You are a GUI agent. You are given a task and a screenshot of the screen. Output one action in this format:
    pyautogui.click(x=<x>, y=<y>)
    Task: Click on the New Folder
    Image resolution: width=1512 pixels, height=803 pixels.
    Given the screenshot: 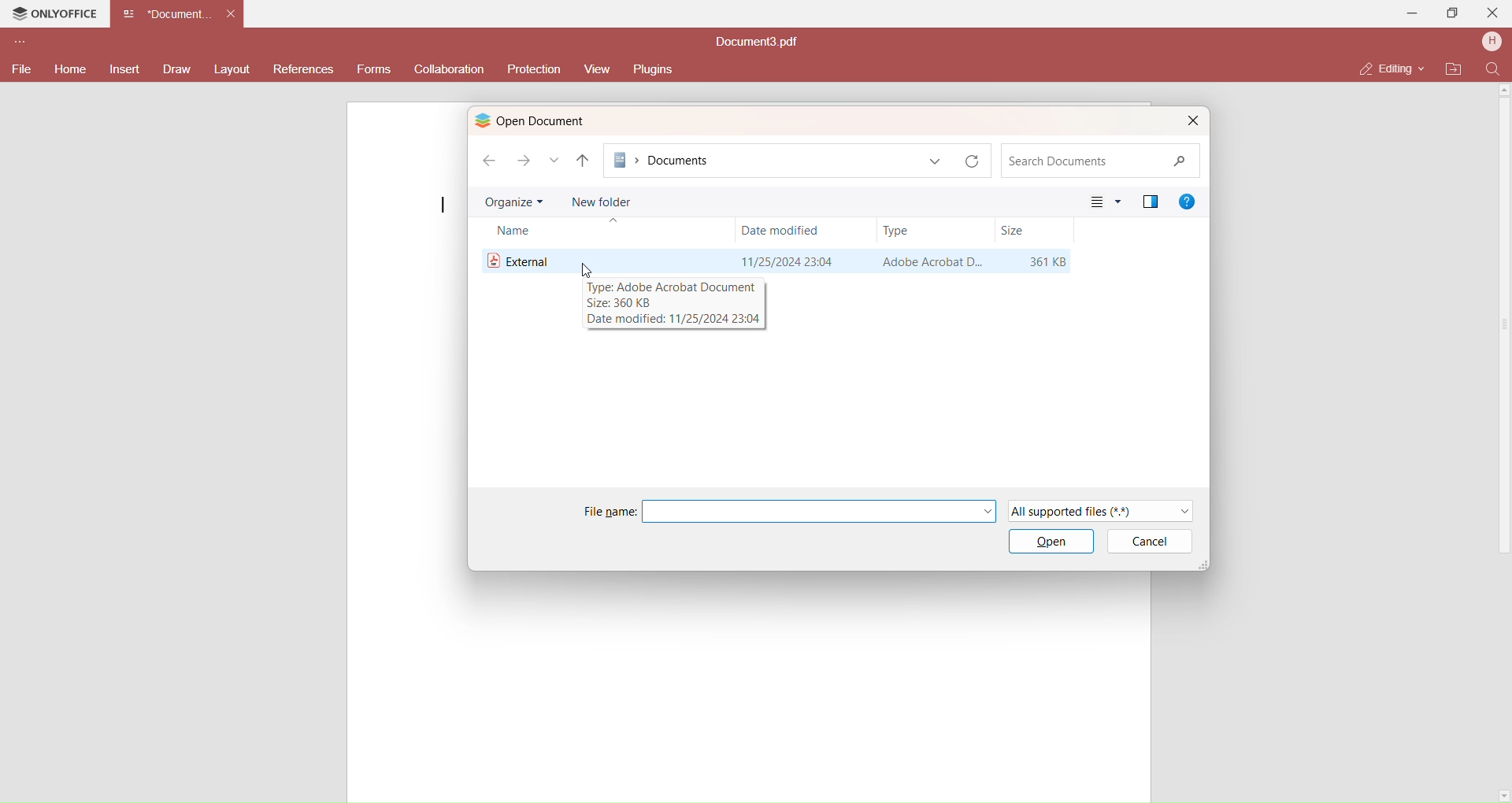 What is the action you would take?
    pyautogui.click(x=602, y=200)
    